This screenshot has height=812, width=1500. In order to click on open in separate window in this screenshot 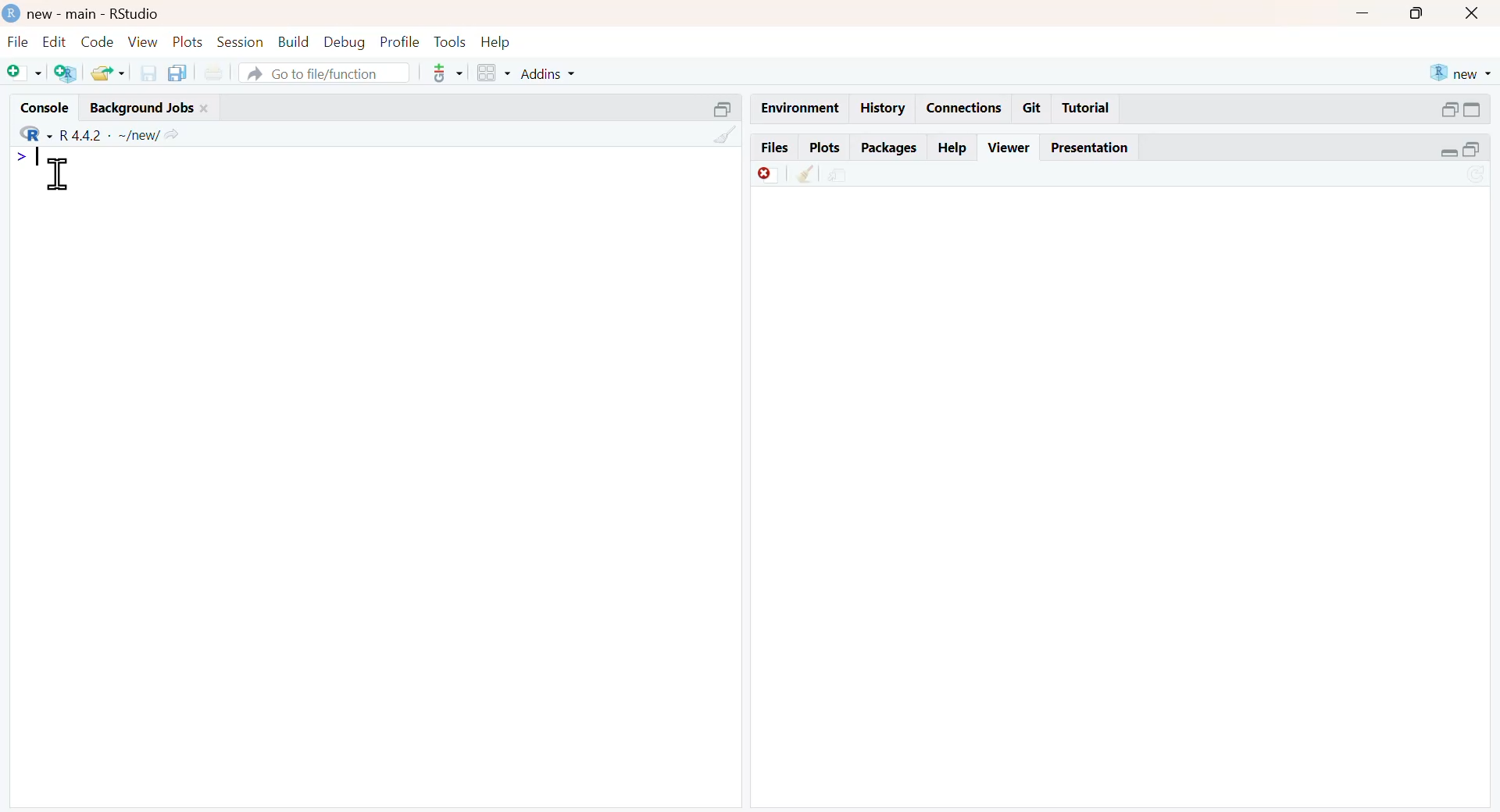, I will do `click(724, 109)`.